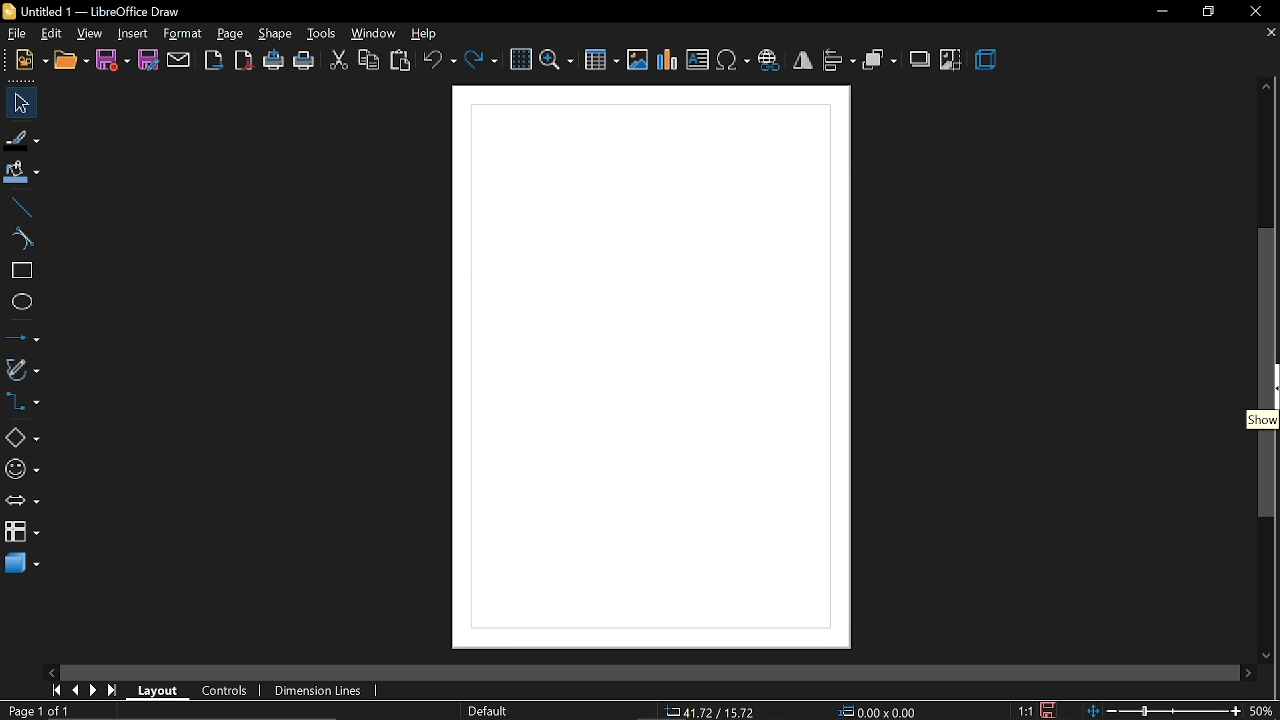 The width and height of the screenshot is (1280, 720). What do you see at coordinates (920, 61) in the screenshot?
I see `shadow` at bounding box center [920, 61].